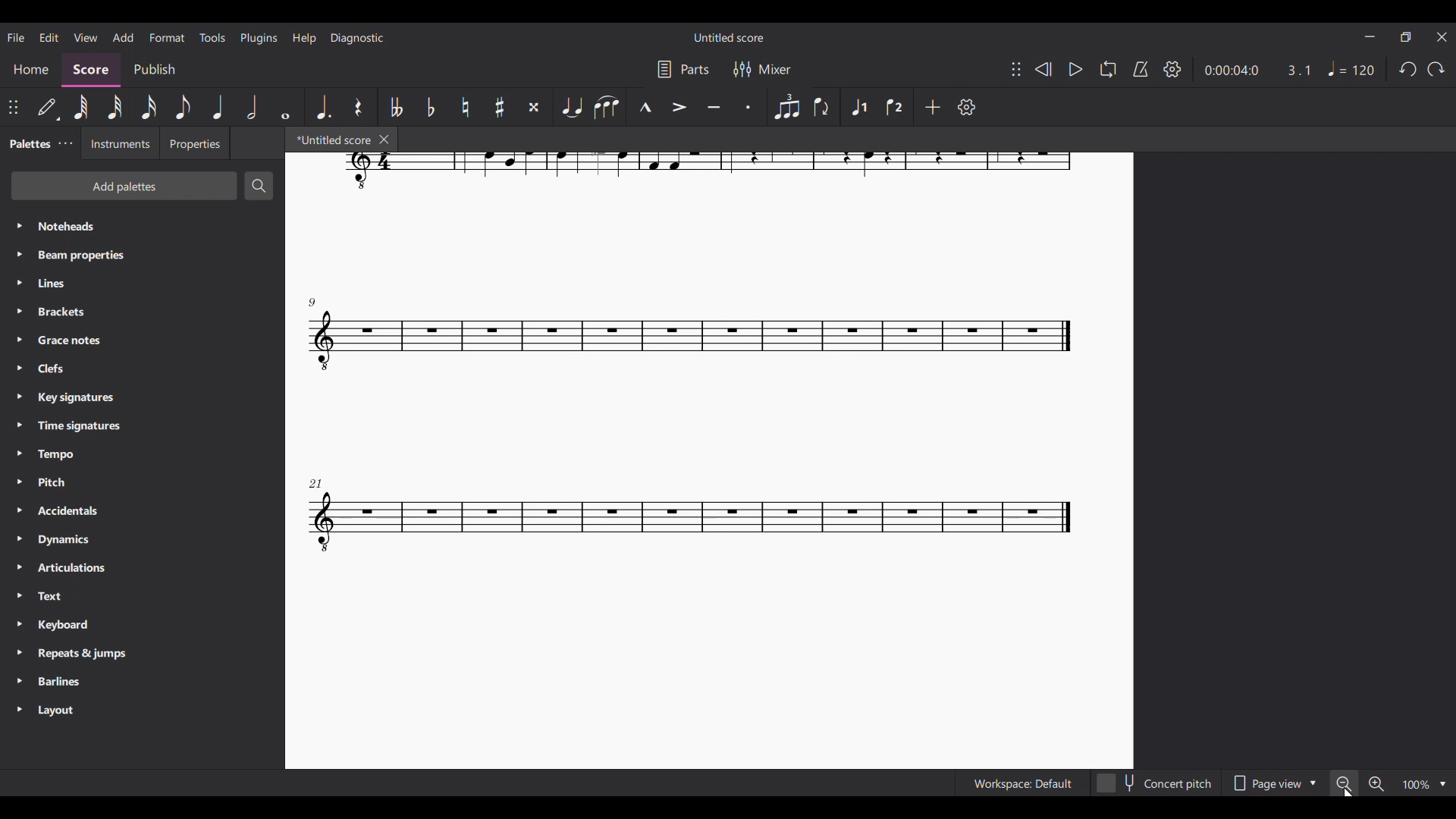 The height and width of the screenshot is (819, 1456). I want to click on 16th note, so click(149, 107).